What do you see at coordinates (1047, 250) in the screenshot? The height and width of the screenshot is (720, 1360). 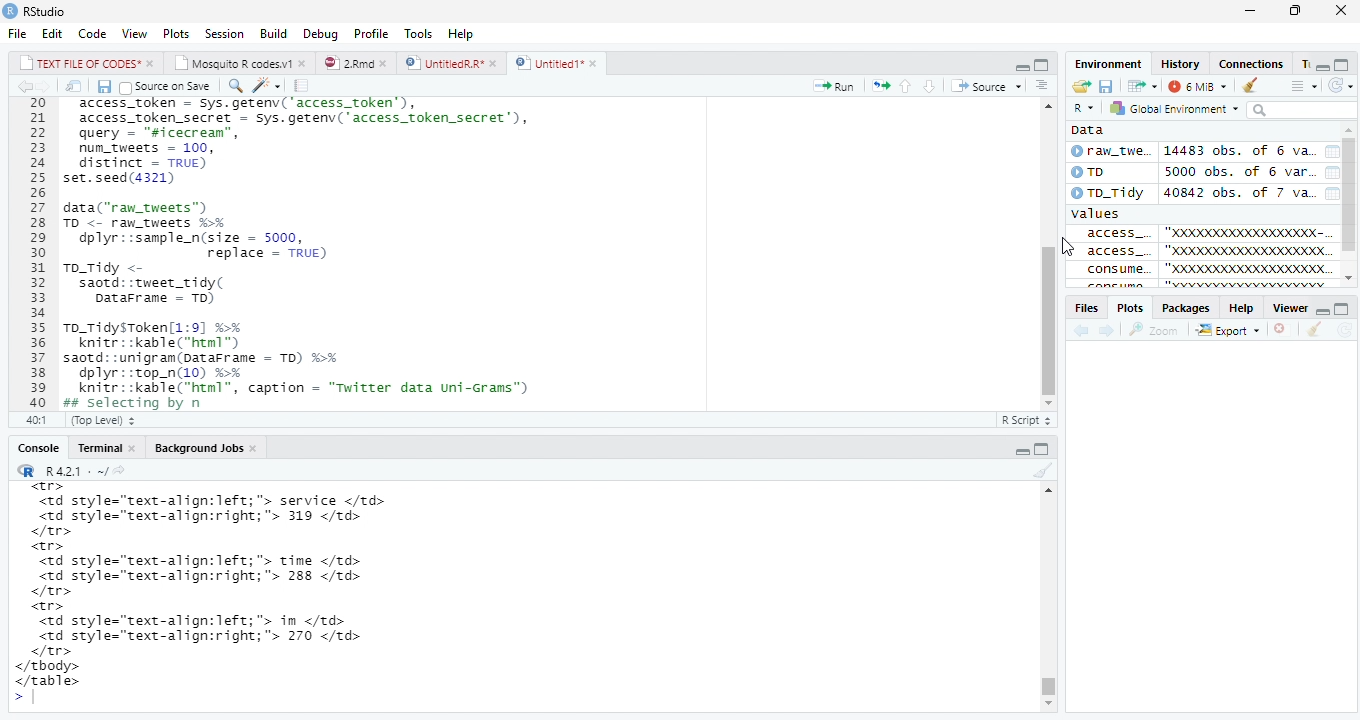 I see `scrollbar` at bounding box center [1047, 250].